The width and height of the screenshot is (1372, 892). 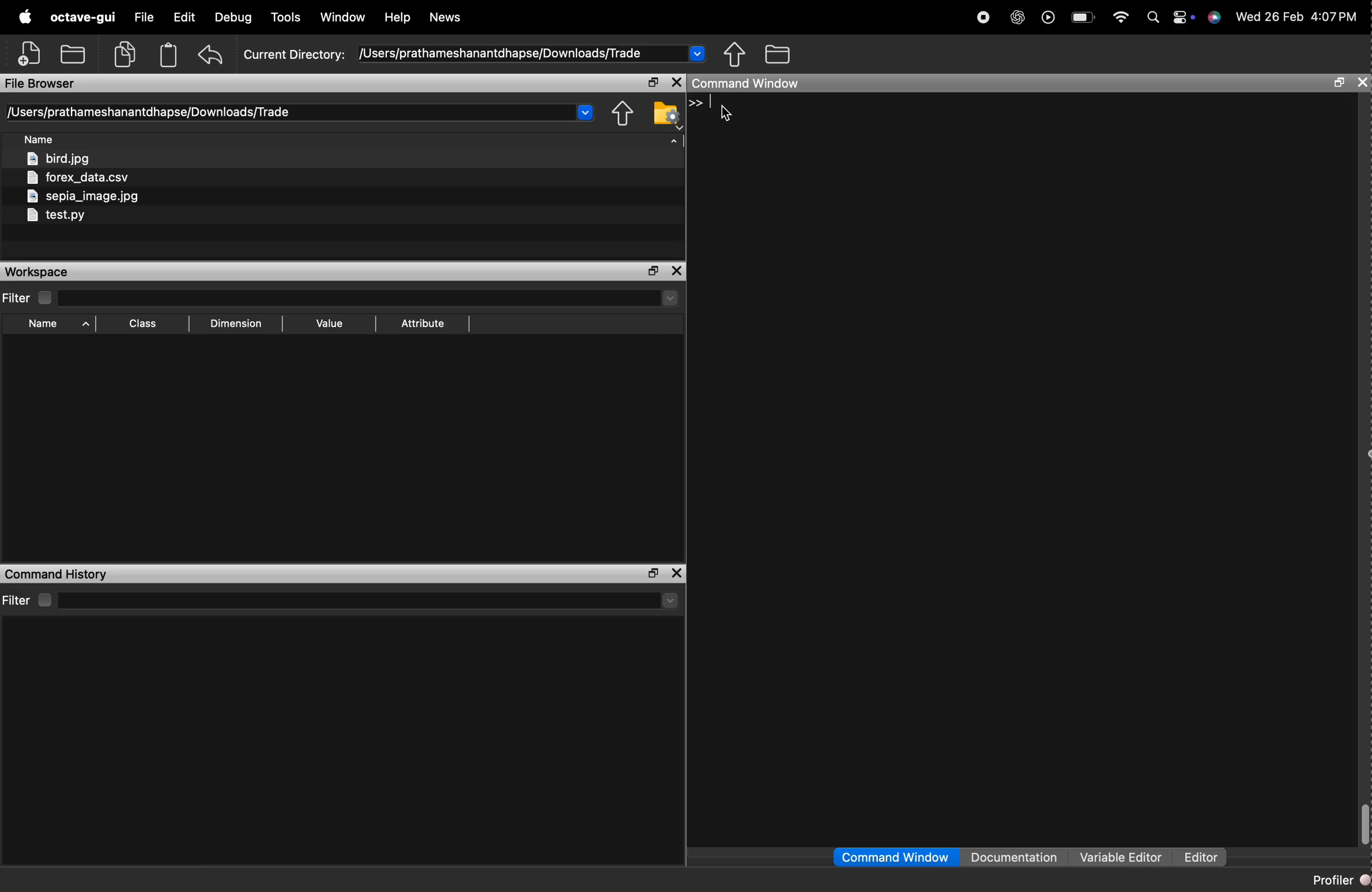 I want to click on command window, so click(x=895, y=856).